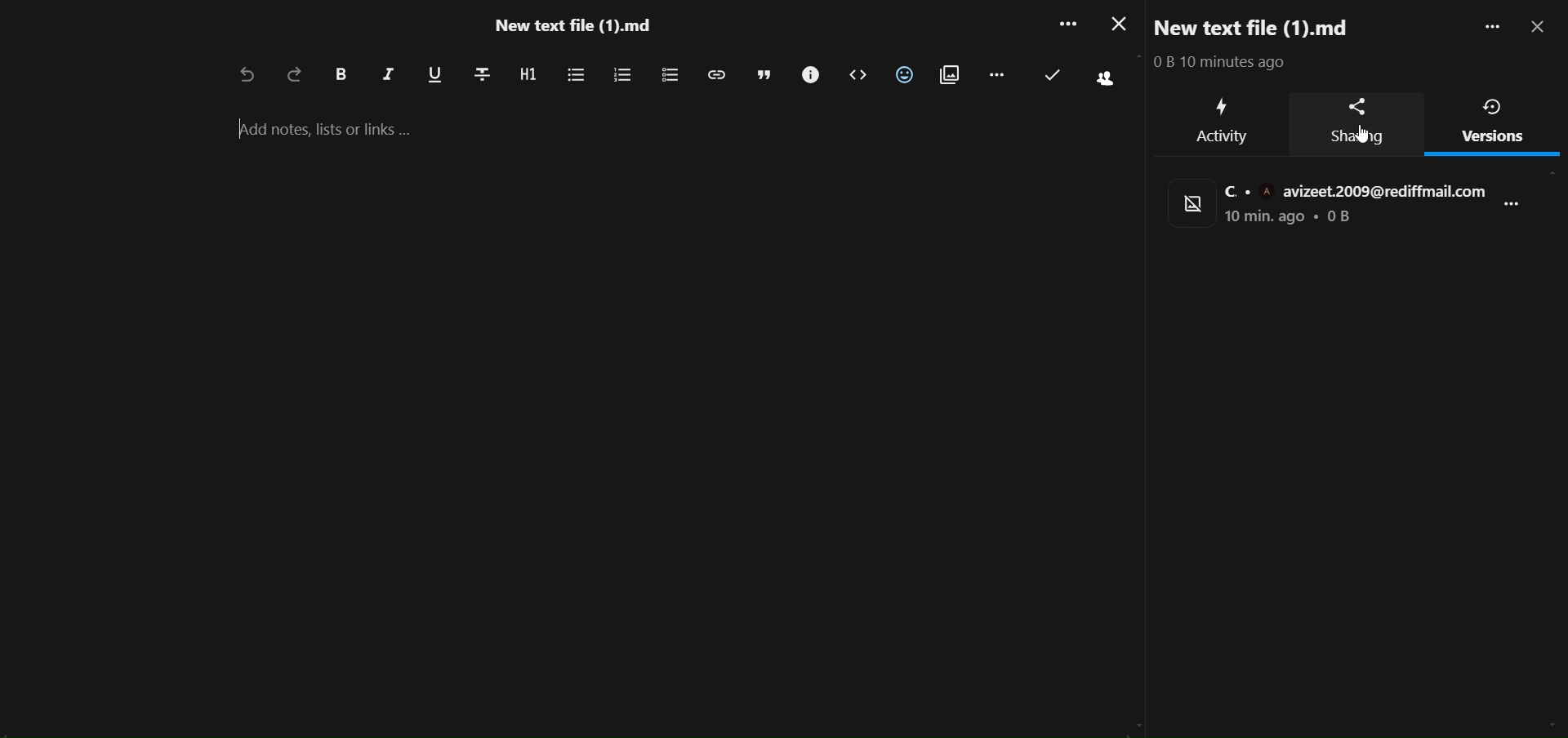  What do you see at coordinates (574, 75) in the screenshot?
I see `unordered list` at bounding box center [574, 75].